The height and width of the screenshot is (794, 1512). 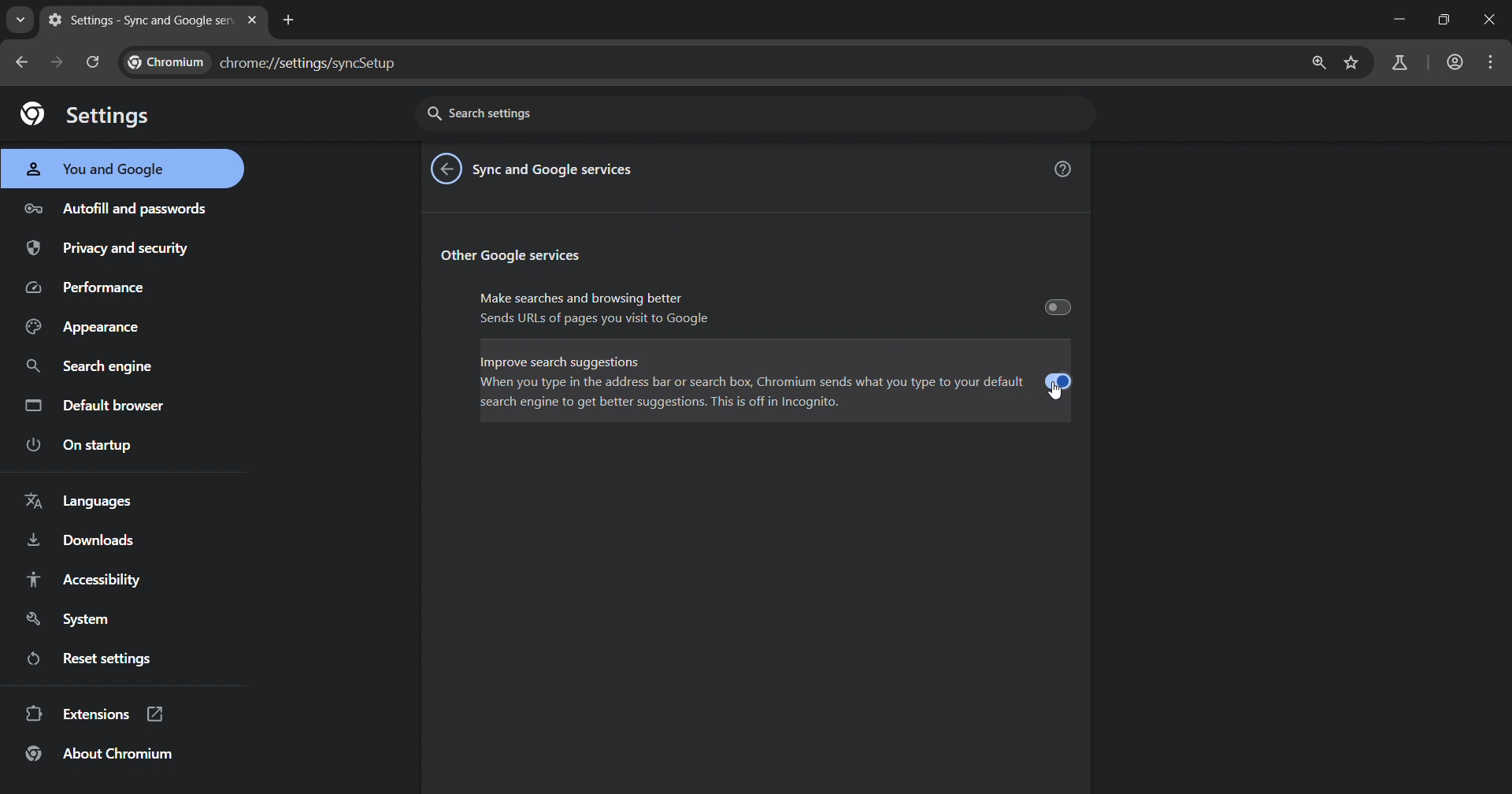 I want to click on cursor, so click(x=1057, y=393).